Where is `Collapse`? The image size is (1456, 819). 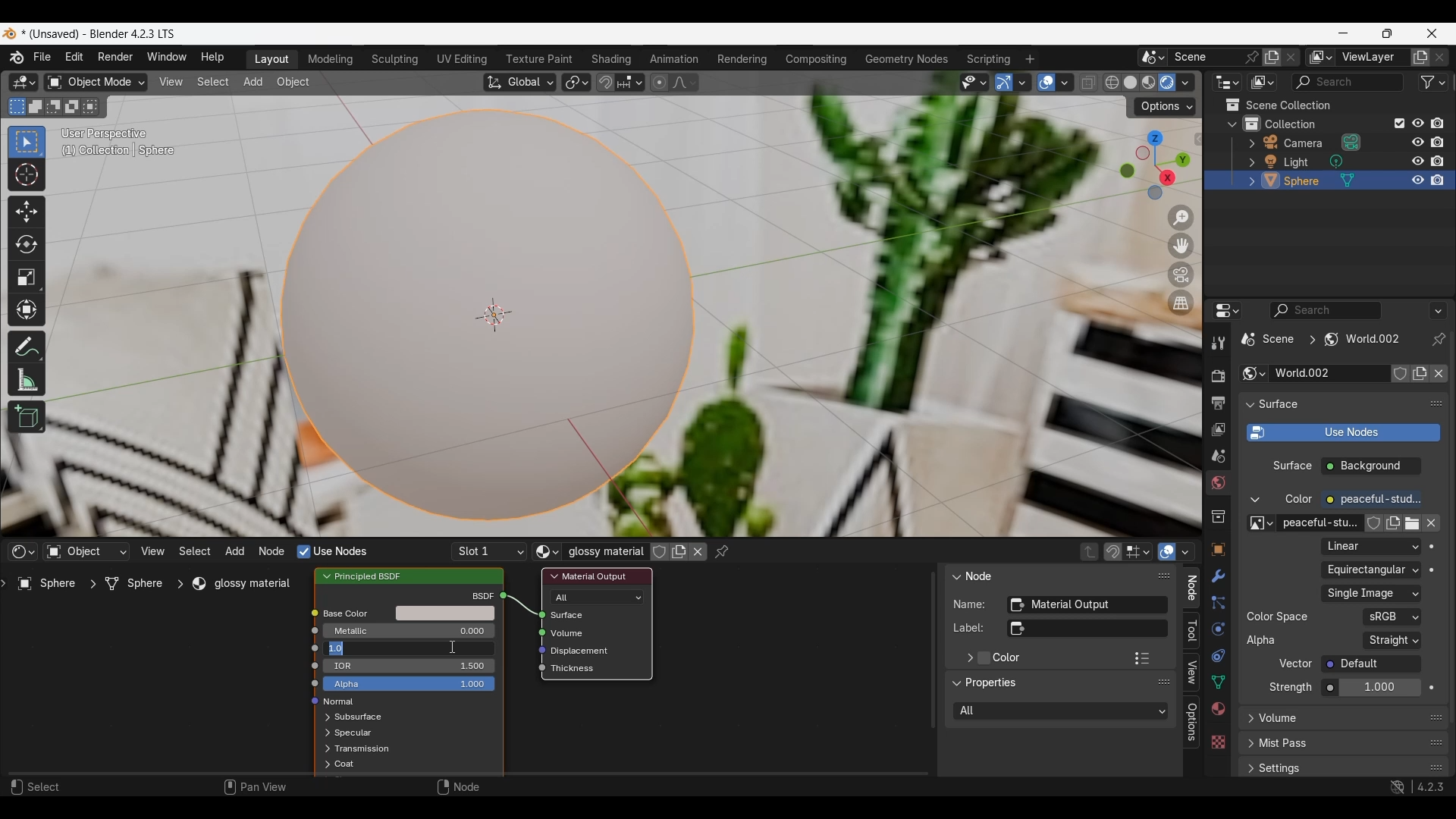 Collapse is located at coordinates (956, 683).